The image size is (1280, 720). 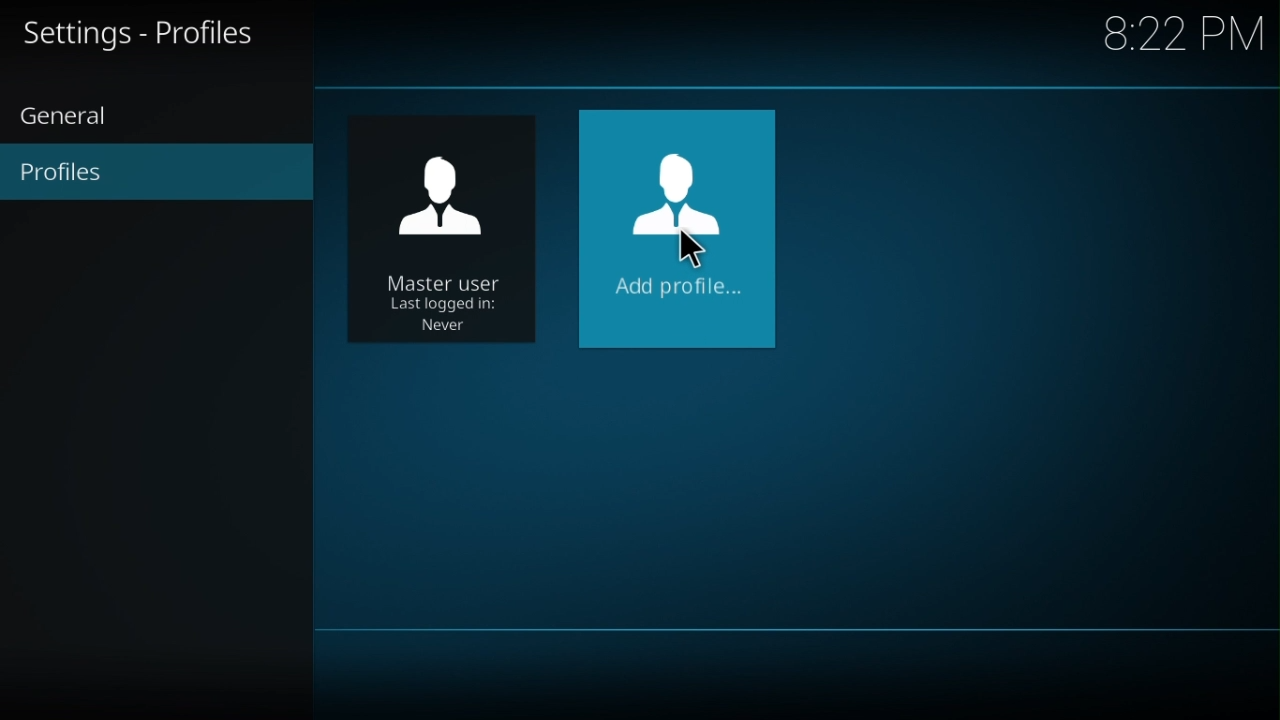 I want to click on settings- profiles, so click(x=151, y=34).